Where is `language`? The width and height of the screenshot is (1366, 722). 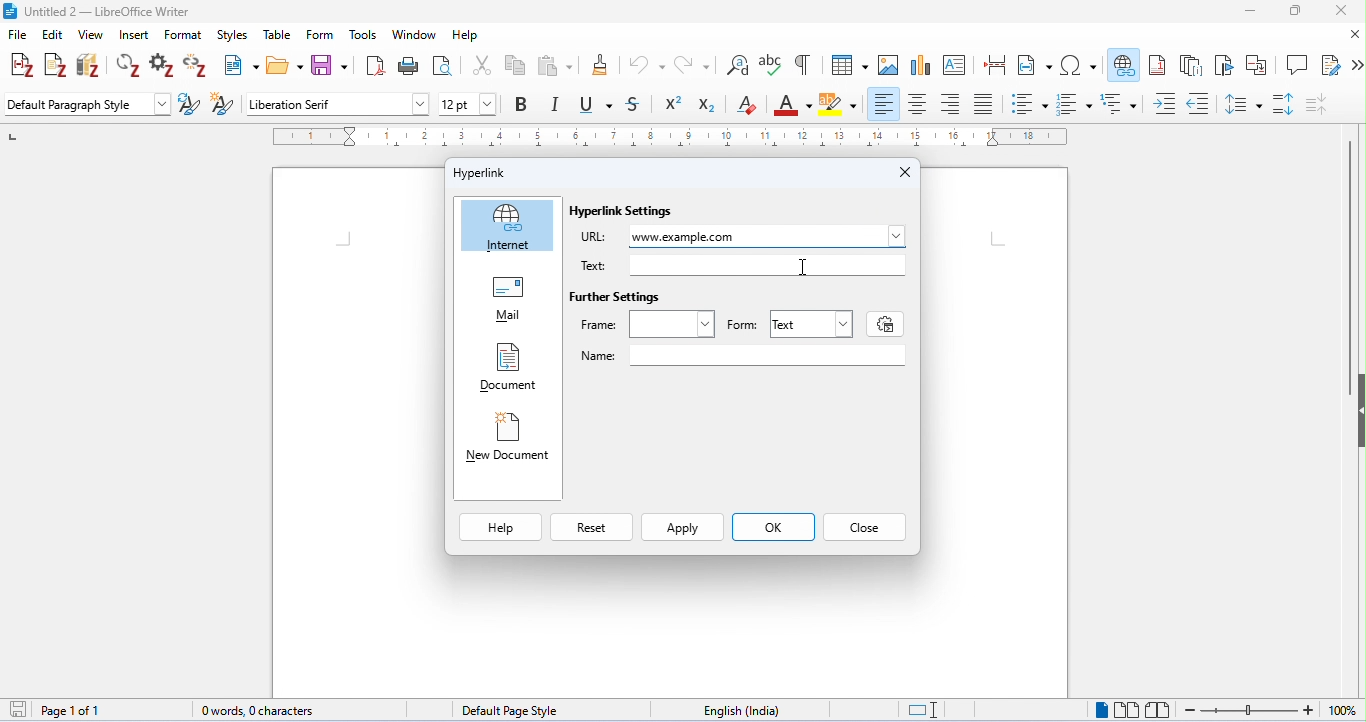 language is located at coordinates (744, 710).